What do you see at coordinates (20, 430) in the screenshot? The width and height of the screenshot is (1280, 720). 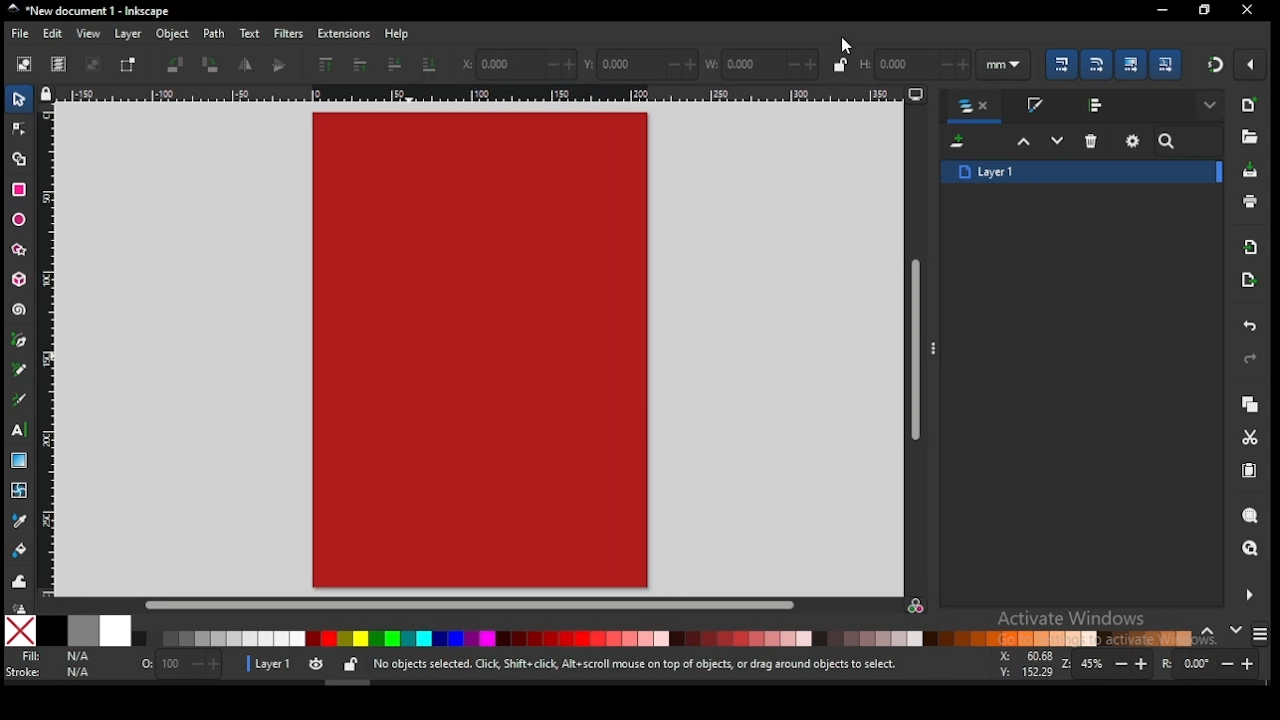 I see `text tool` at bounding box center [20, 430].